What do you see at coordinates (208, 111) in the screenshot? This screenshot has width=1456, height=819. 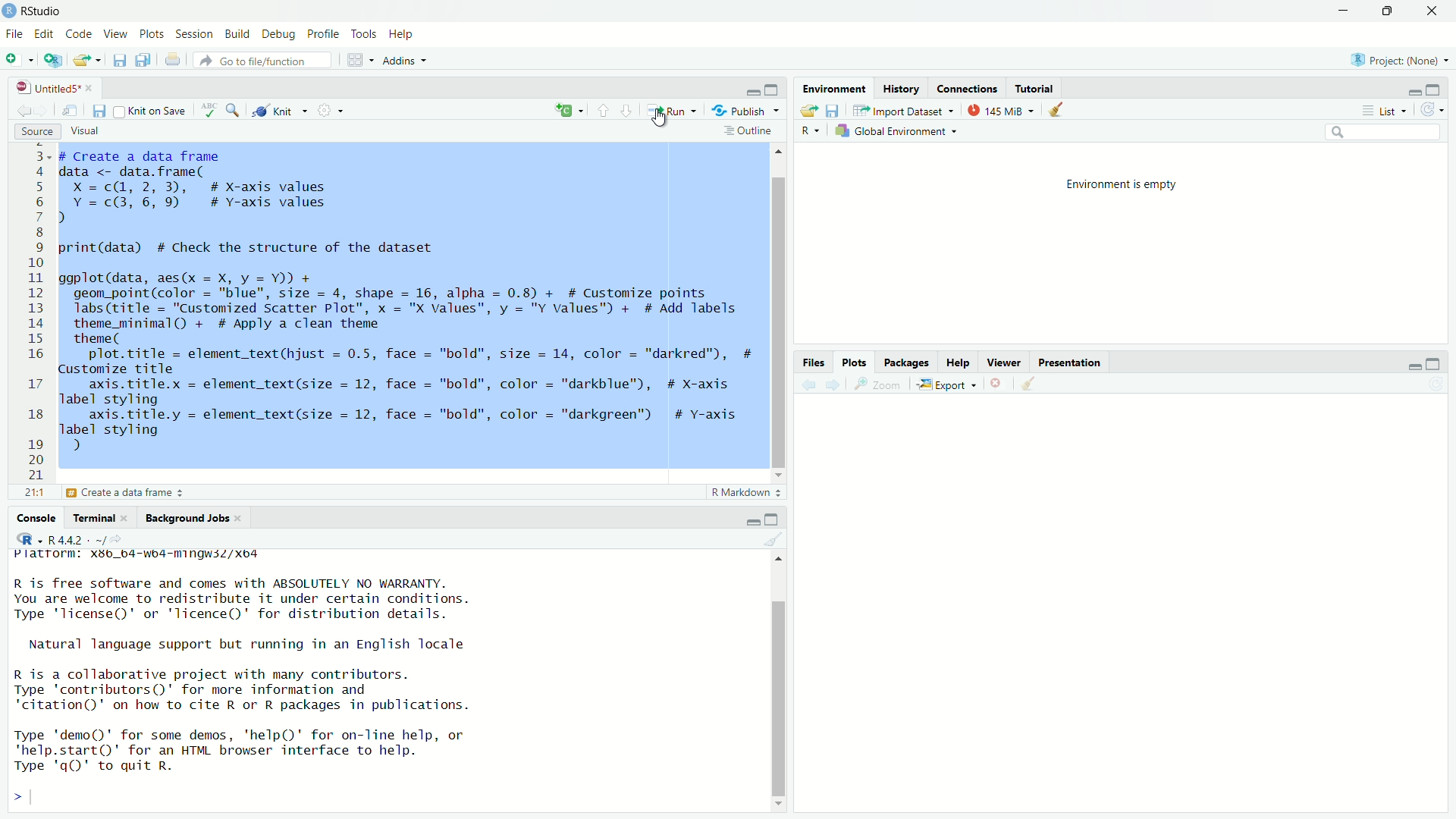 I see `ABC` at bounding box center [208, 111].